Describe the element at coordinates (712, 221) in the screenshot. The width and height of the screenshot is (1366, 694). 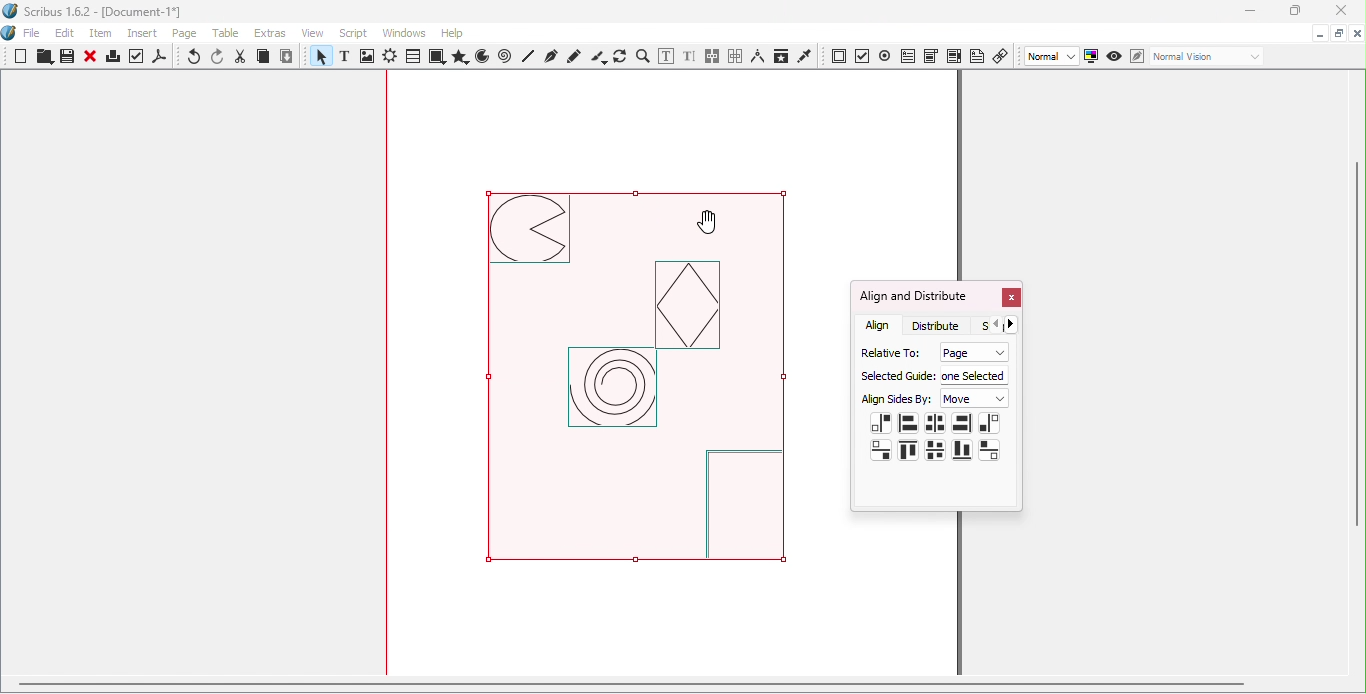
I see `Cursor` at that location.